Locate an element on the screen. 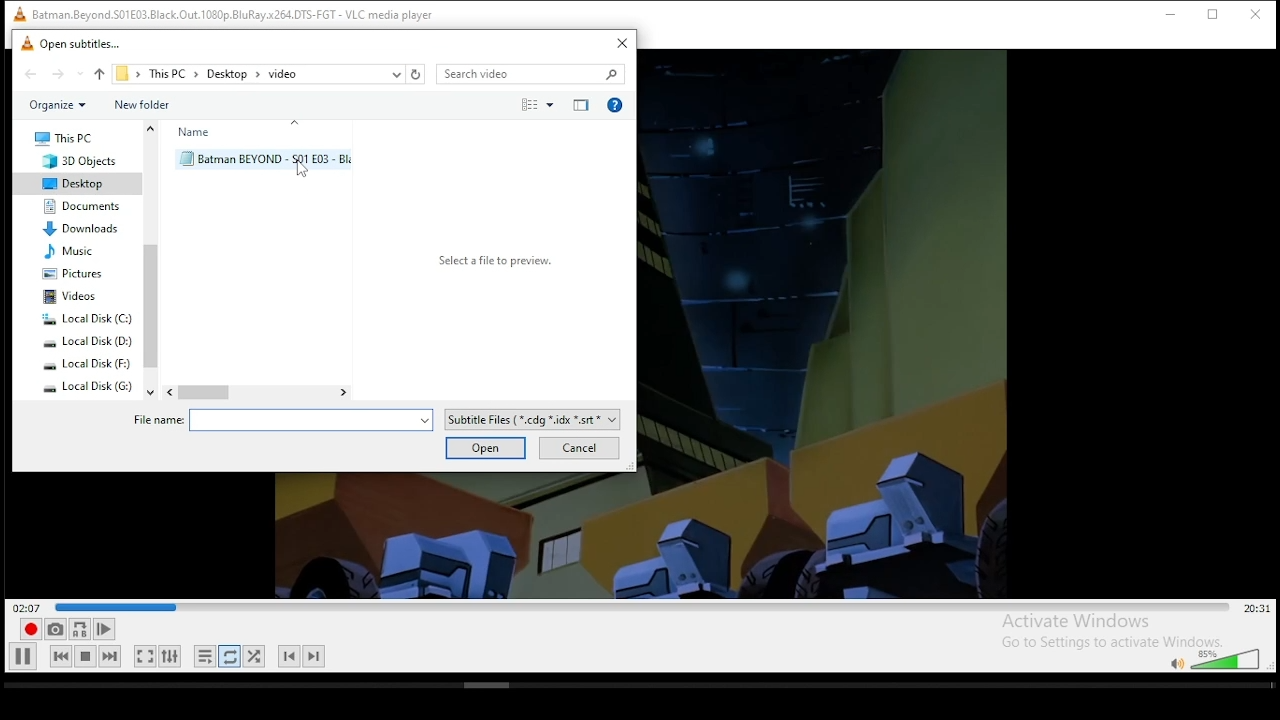  file options is located at coordinates (313, 418).